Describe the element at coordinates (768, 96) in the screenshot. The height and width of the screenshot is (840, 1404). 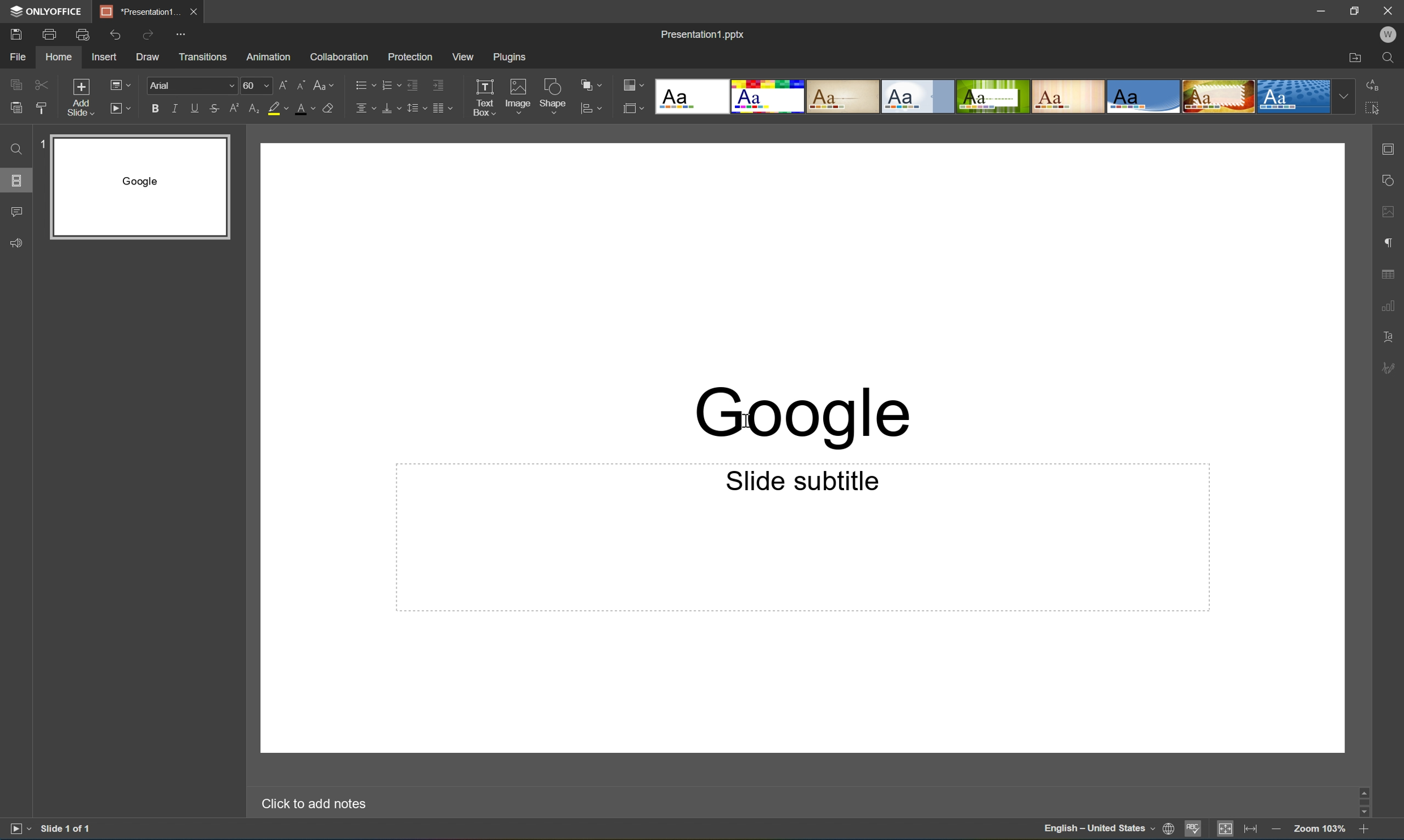
I see `Basic` at that location.